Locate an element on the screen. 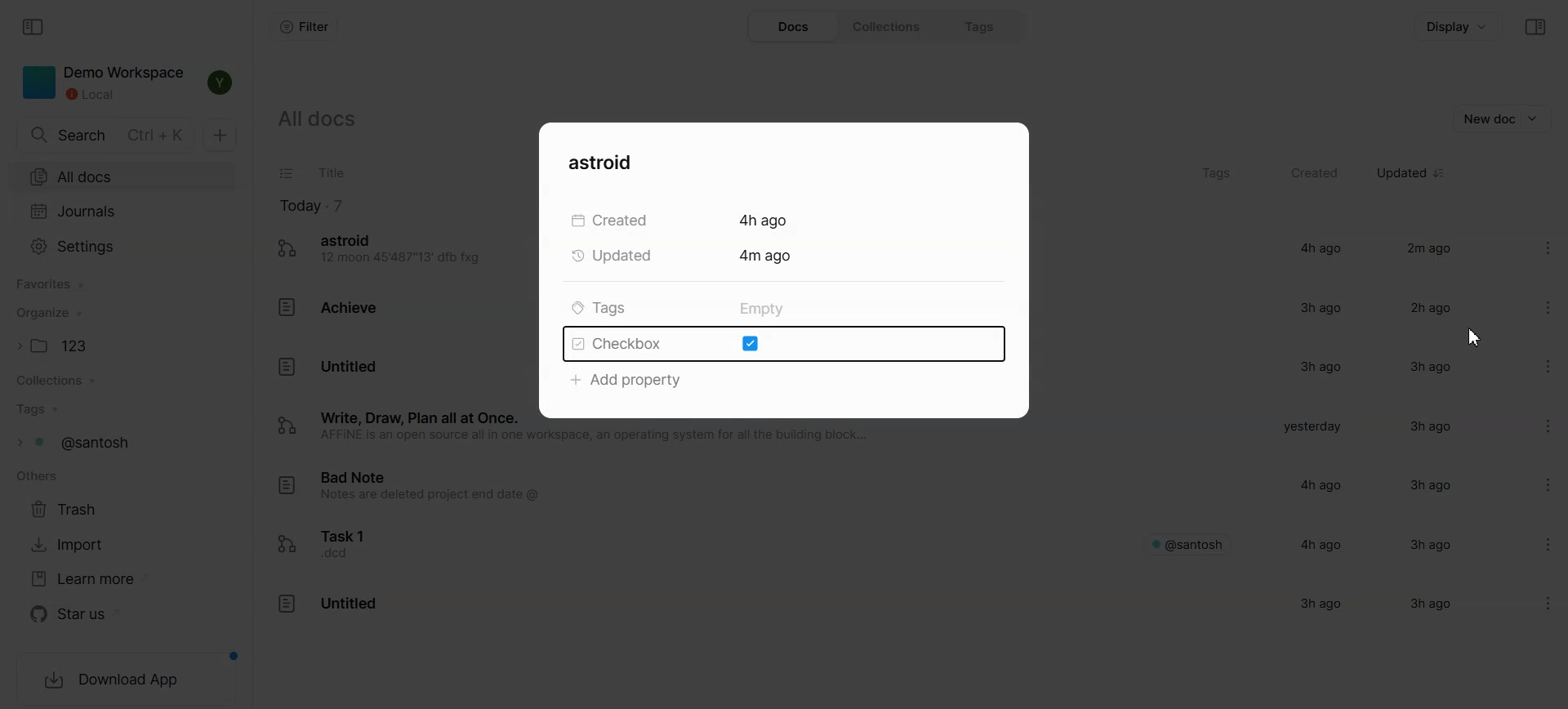 The height and width of the screenshot is (709, 1568). Settings is located at coordinates (1527, 239).